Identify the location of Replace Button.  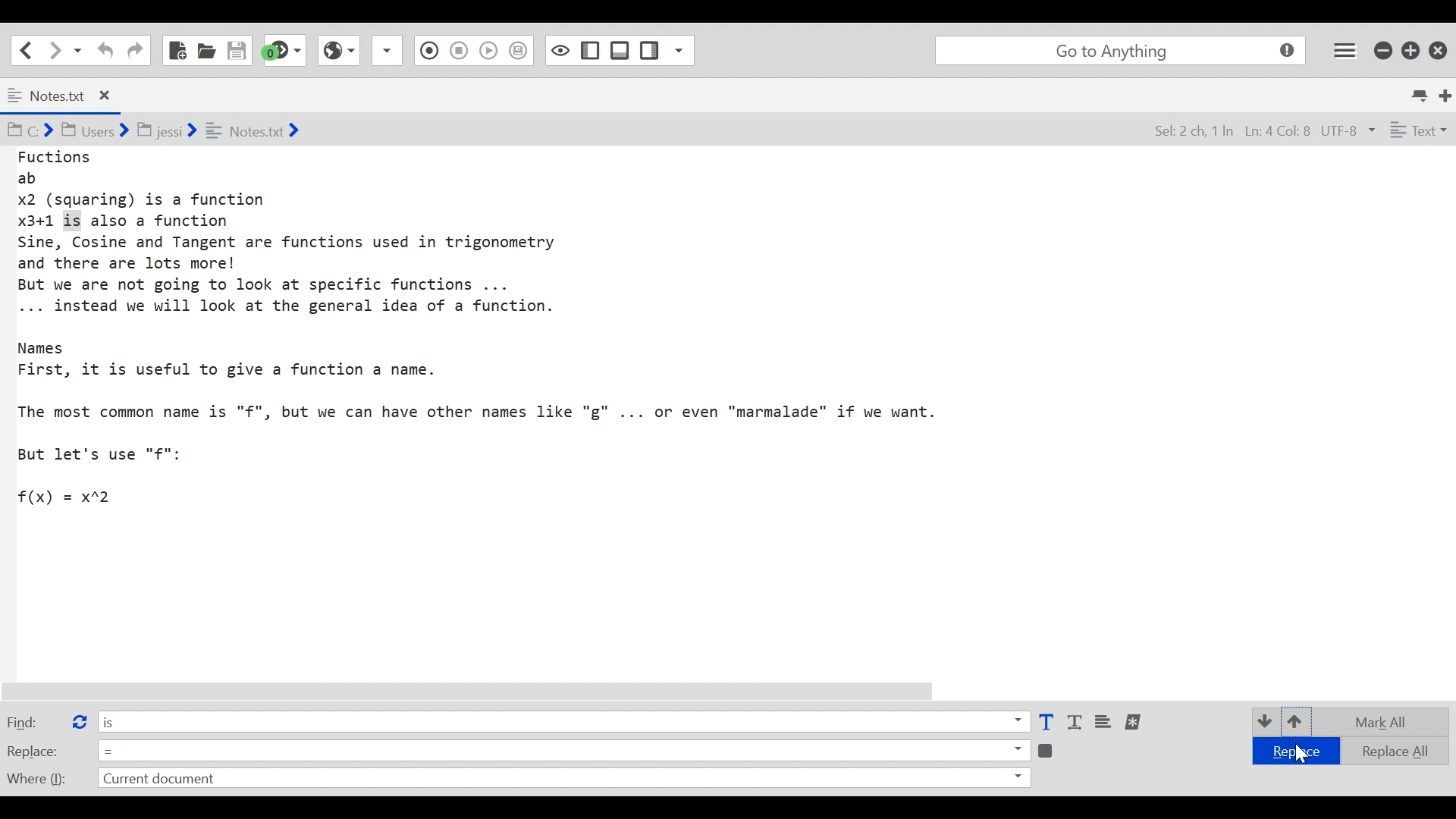
(78, 720).